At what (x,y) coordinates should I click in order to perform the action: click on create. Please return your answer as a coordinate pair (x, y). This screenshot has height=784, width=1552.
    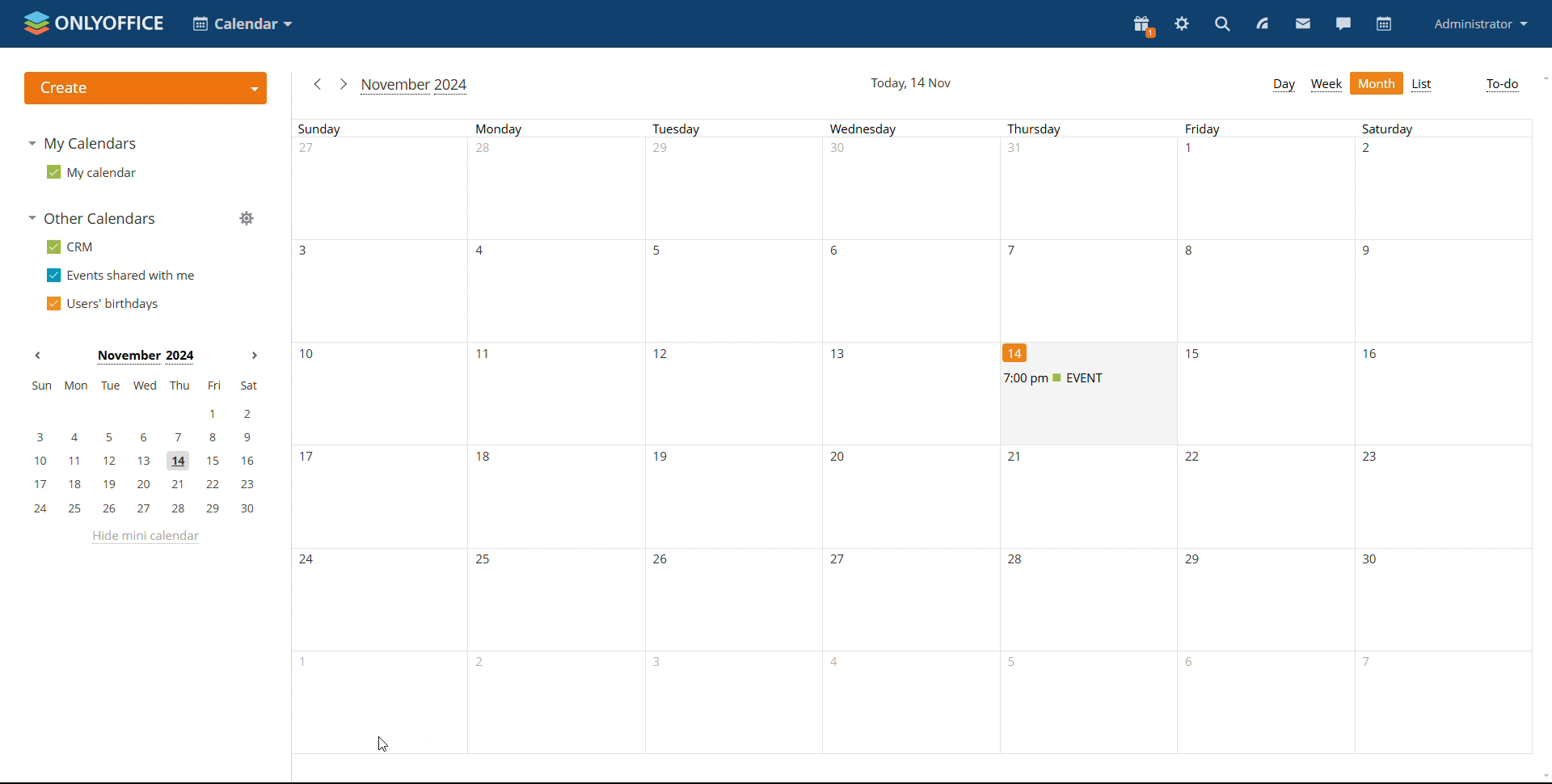
    Looking at the image, I should click on (145, 88).